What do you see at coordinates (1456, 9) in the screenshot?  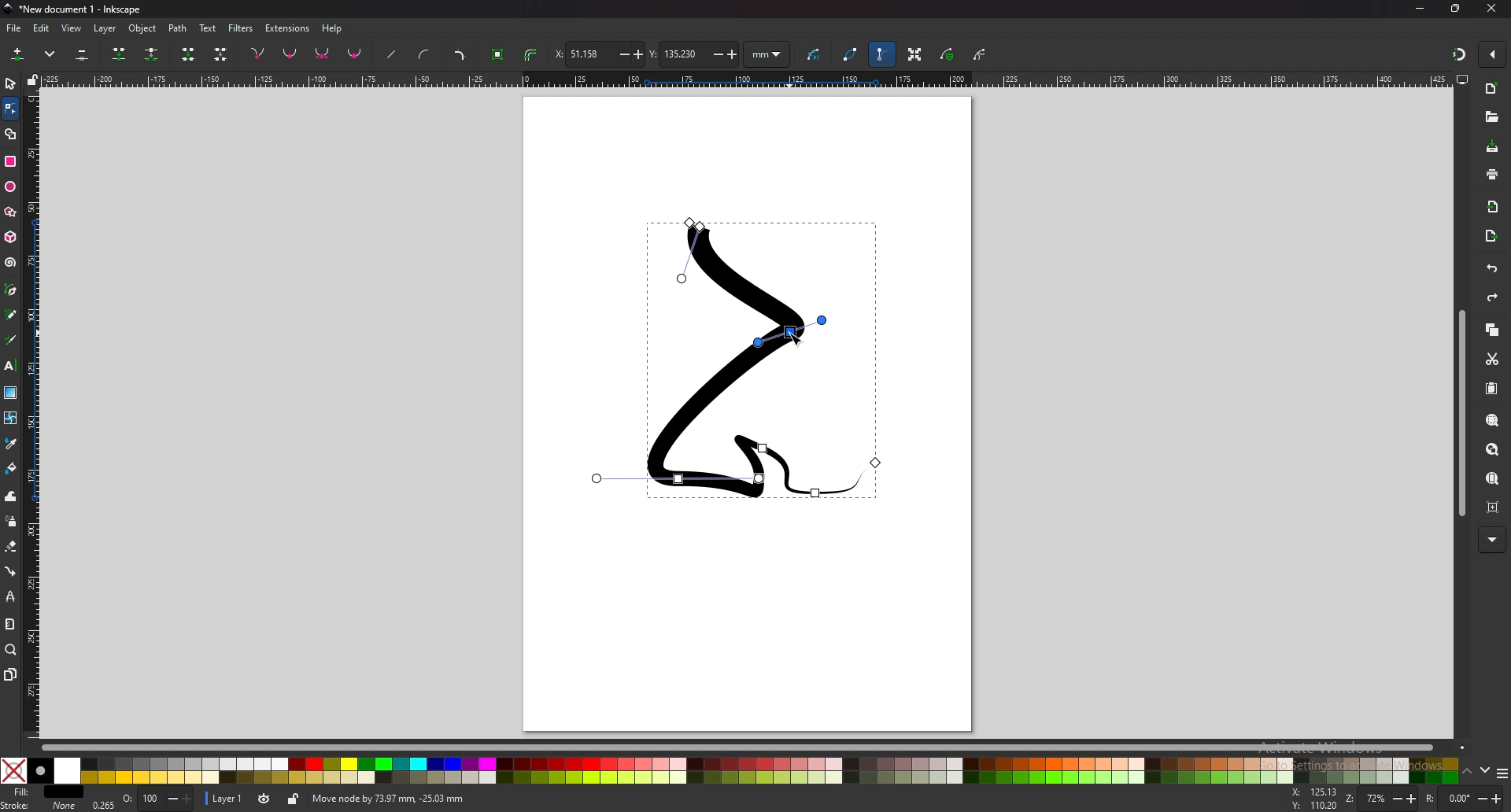 I see `resize` at bounding box center [1456, 9].